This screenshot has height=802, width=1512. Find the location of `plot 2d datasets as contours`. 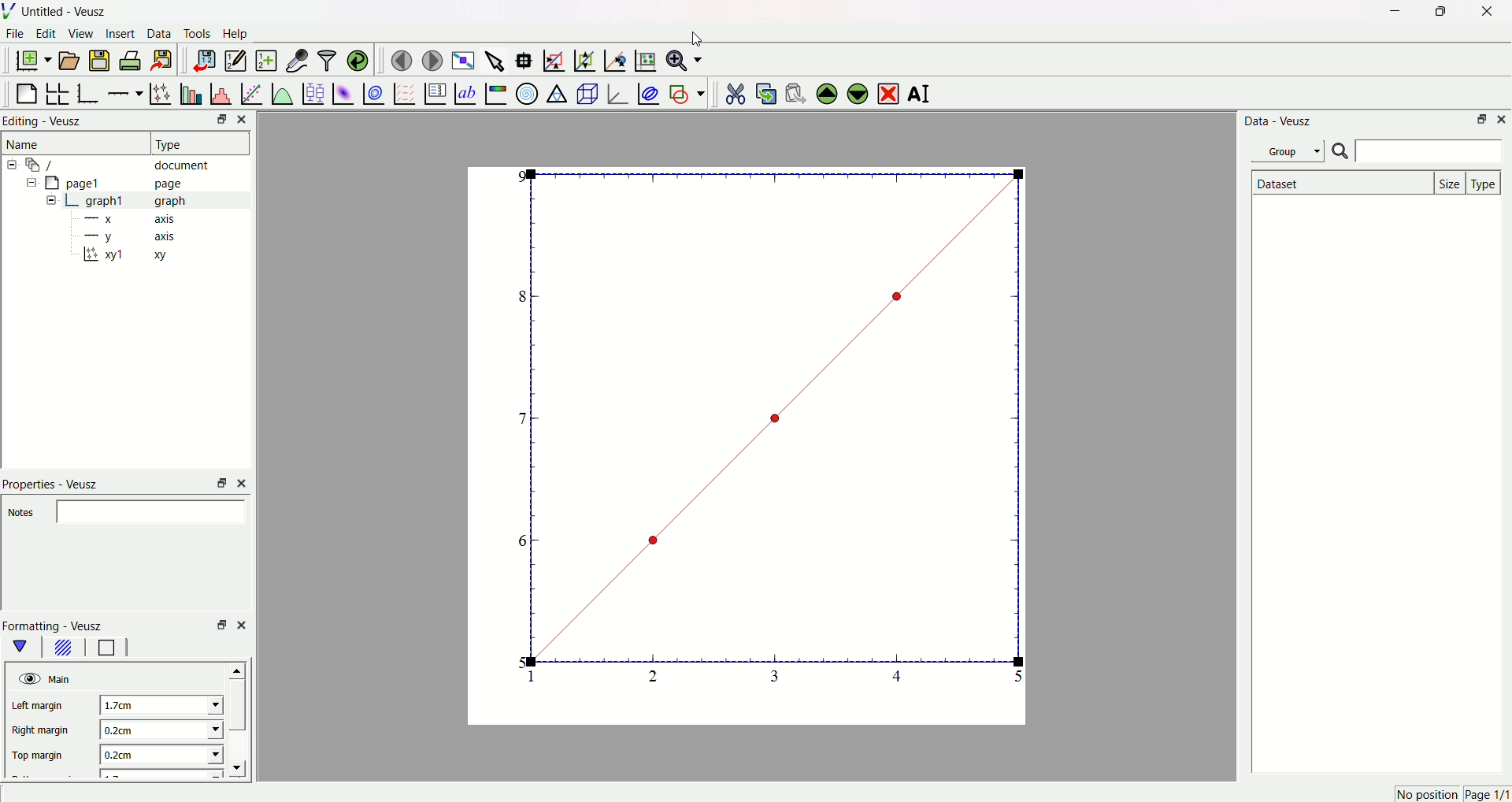

plot 2d datasets as contours is located at coordinates (372, 93).